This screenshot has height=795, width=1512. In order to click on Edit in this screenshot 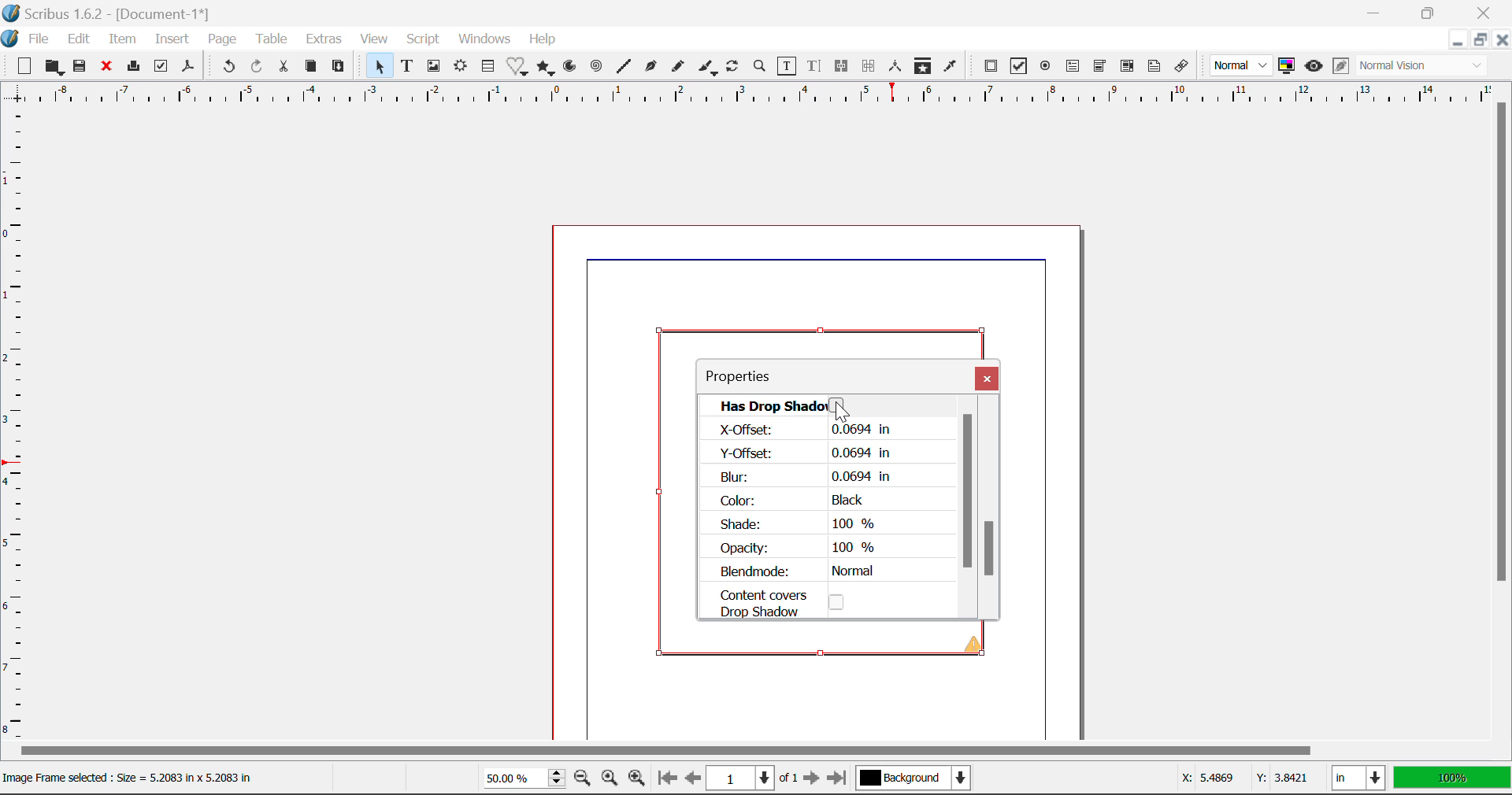, I will do `click(79, 41)`.